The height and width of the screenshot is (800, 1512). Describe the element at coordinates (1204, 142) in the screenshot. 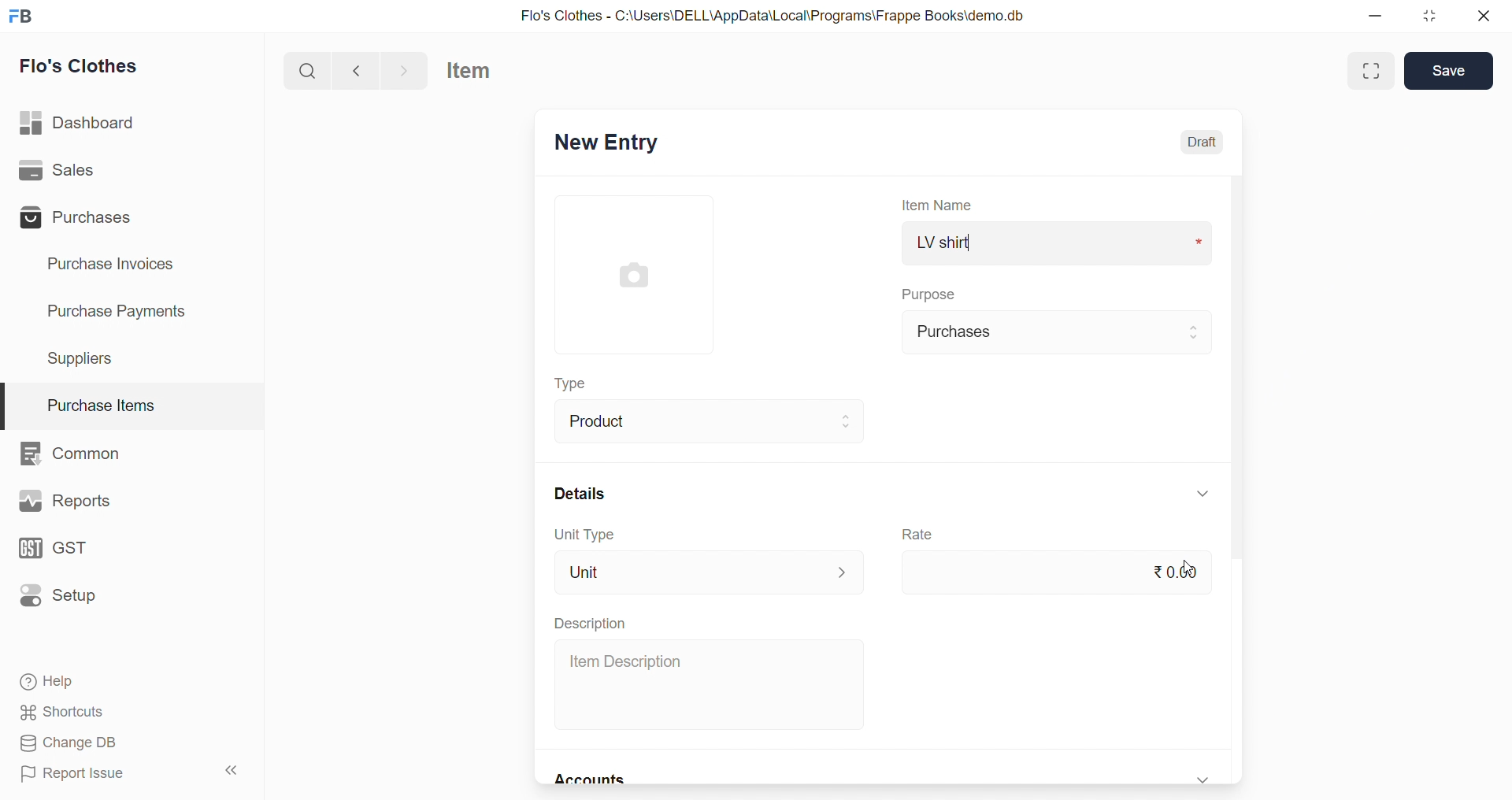

I see `Draft` at that location.